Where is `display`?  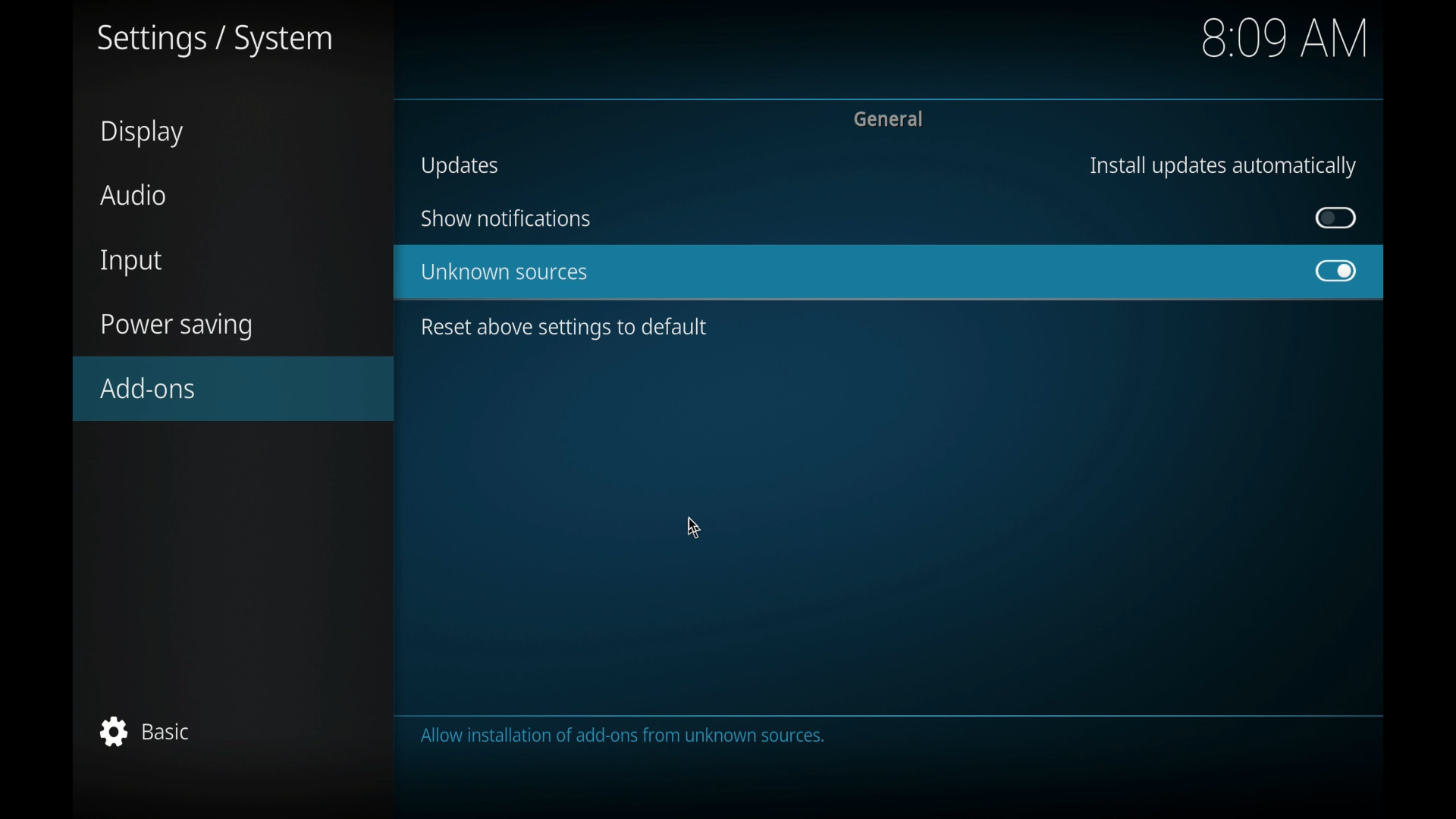 display is located at coordinates (145, 133).